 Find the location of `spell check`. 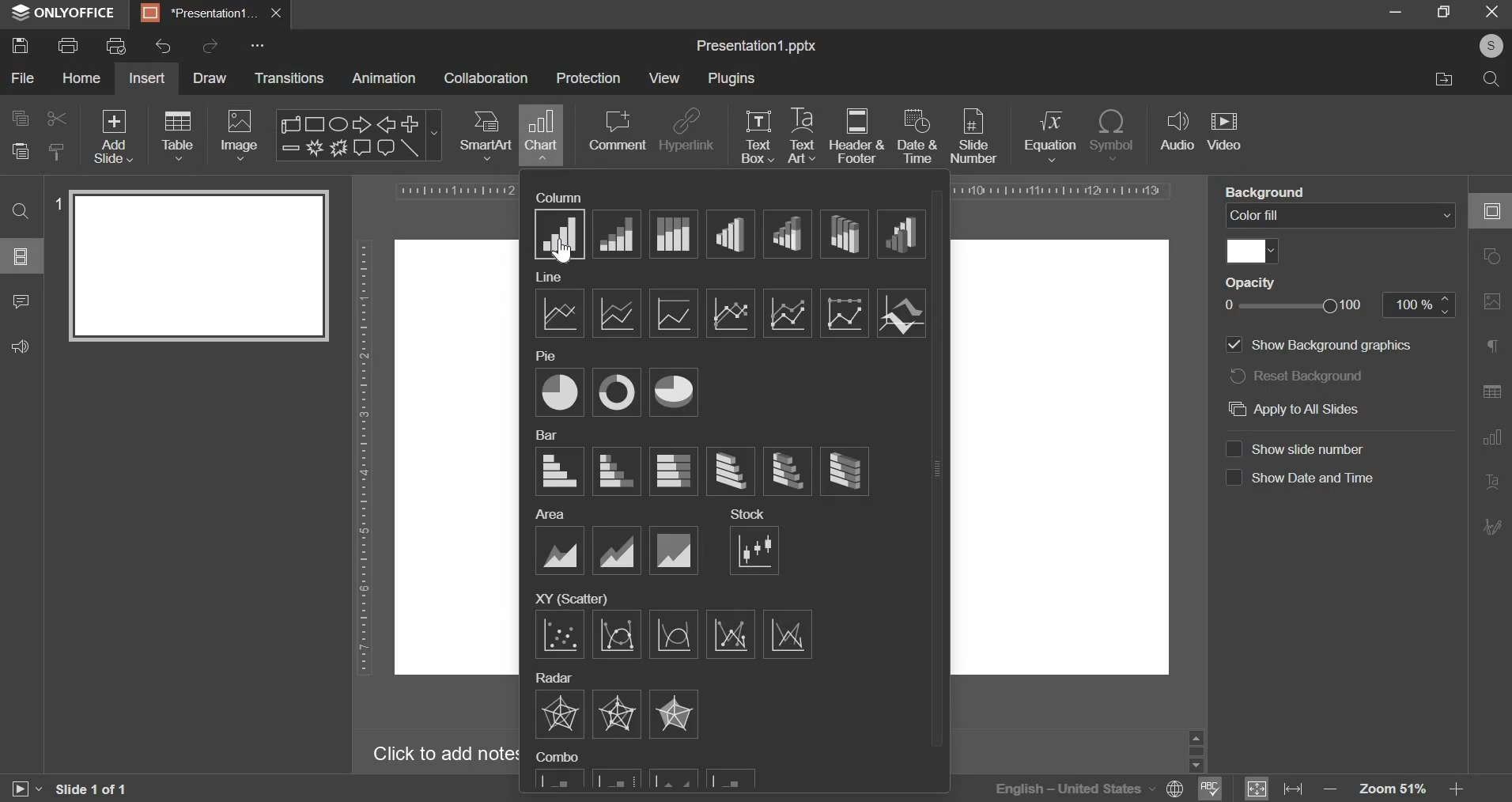

spell check is located at coordinates (1211, 788).